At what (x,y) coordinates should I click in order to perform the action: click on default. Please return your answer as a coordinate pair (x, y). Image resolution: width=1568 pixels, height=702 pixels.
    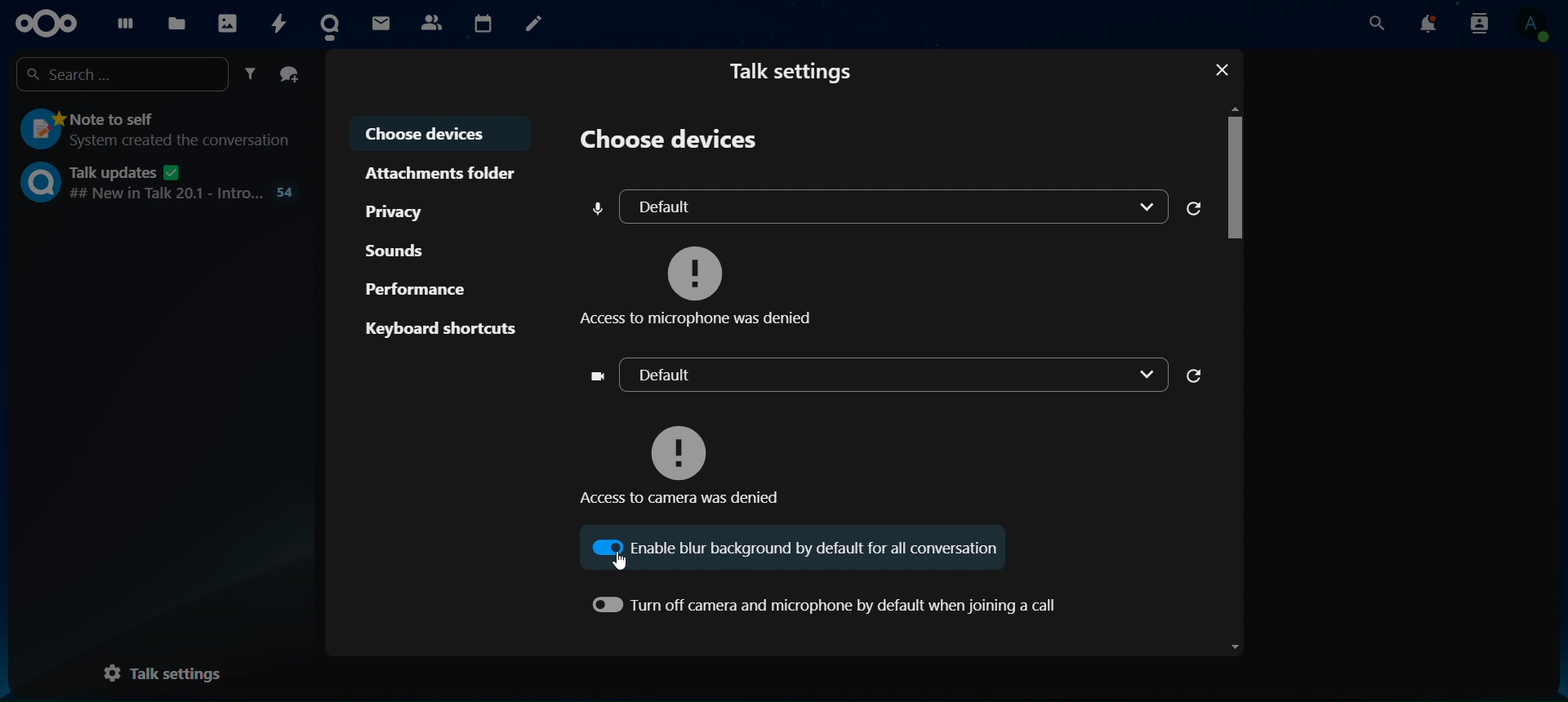
    Looking at the image, I should click on (874, 205).